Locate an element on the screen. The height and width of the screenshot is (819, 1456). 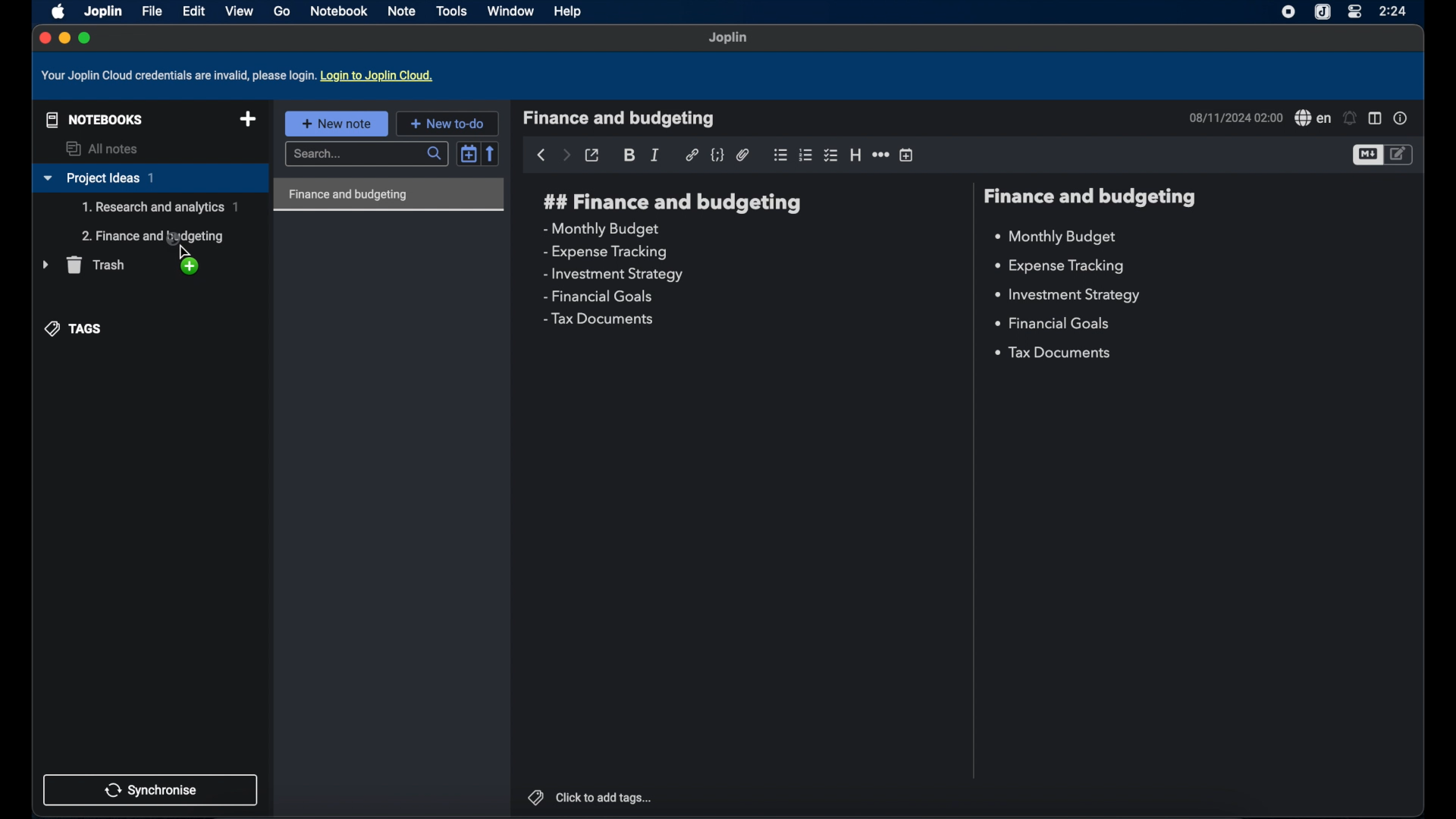
toggle sort order field is located at coordinates (469, 152).